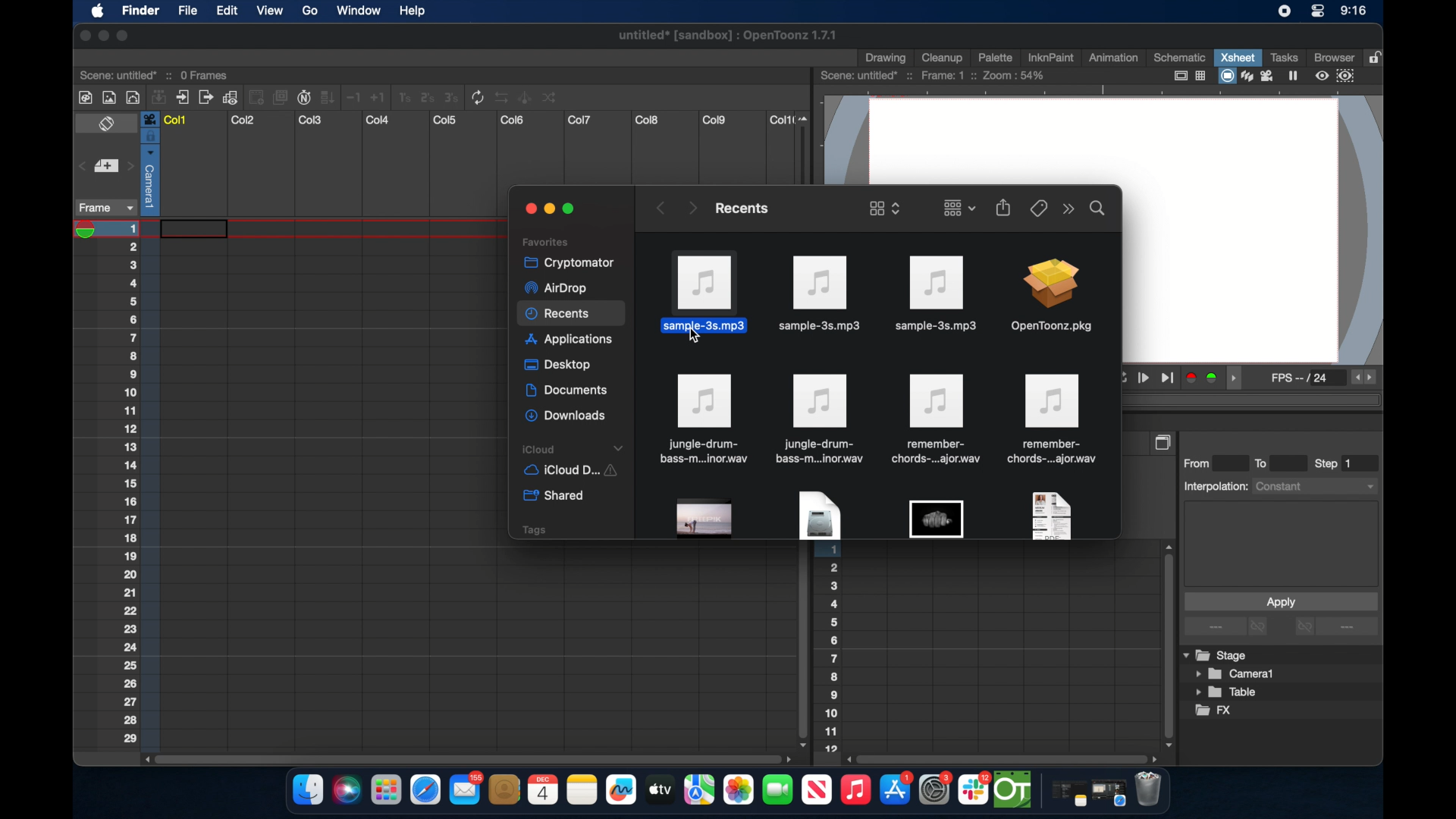 The height and width of the screenshot is (819, 1456). I want to click on mp3 file selected, so click(708, 289).